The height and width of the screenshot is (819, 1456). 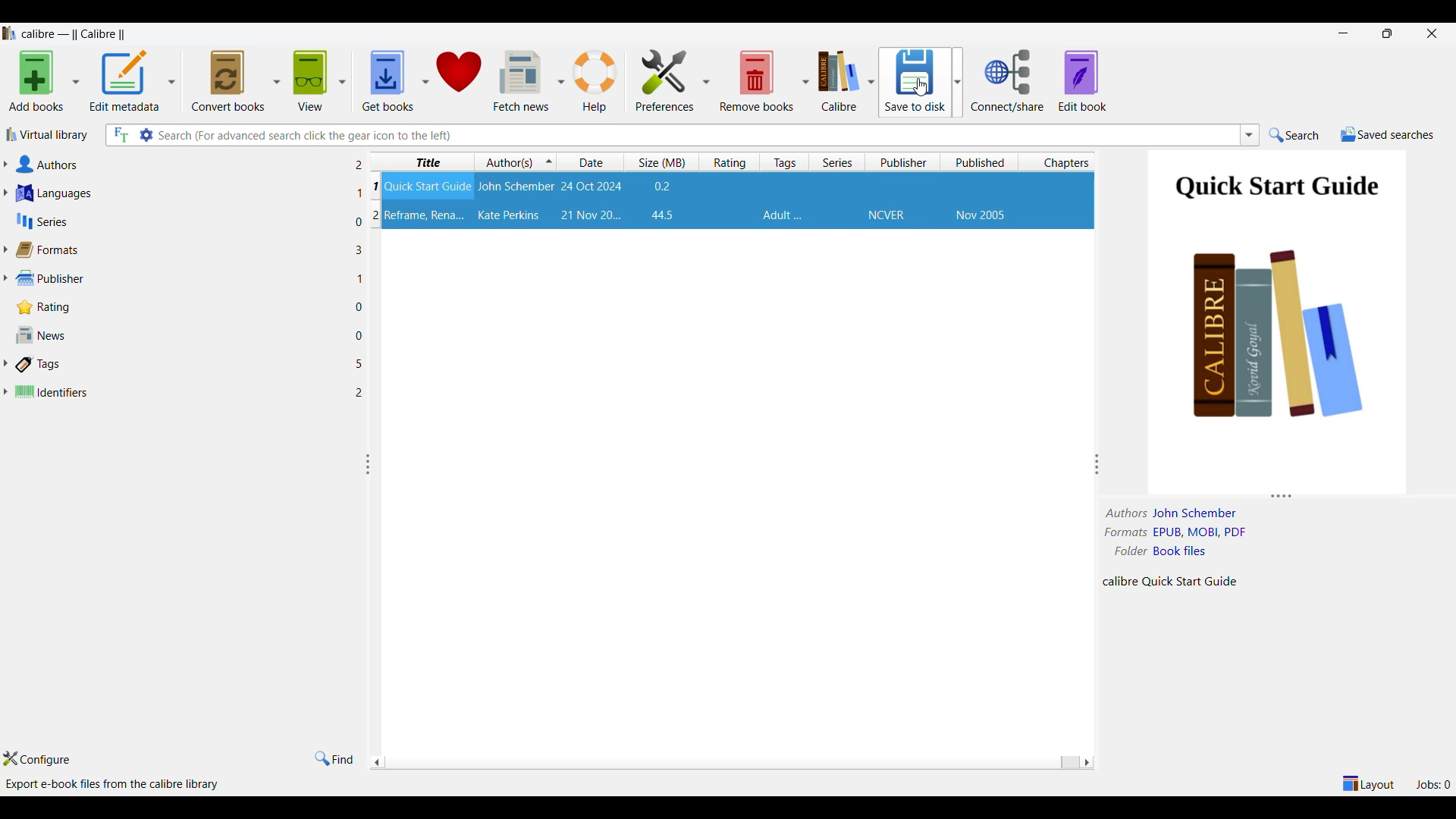 I want to click on Virtual library , so click(x=48, y=134).